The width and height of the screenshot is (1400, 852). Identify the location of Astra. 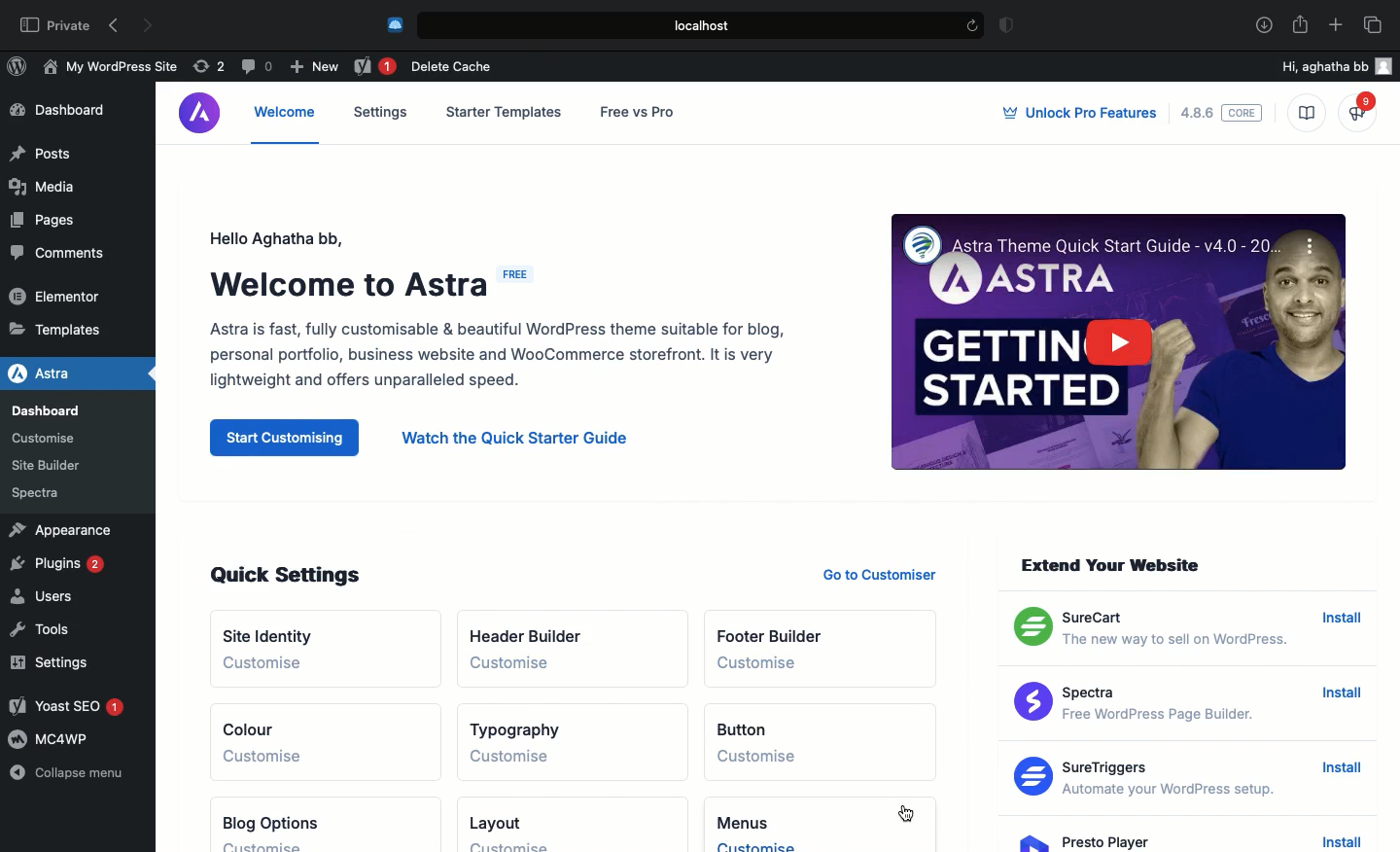
(43, 375).